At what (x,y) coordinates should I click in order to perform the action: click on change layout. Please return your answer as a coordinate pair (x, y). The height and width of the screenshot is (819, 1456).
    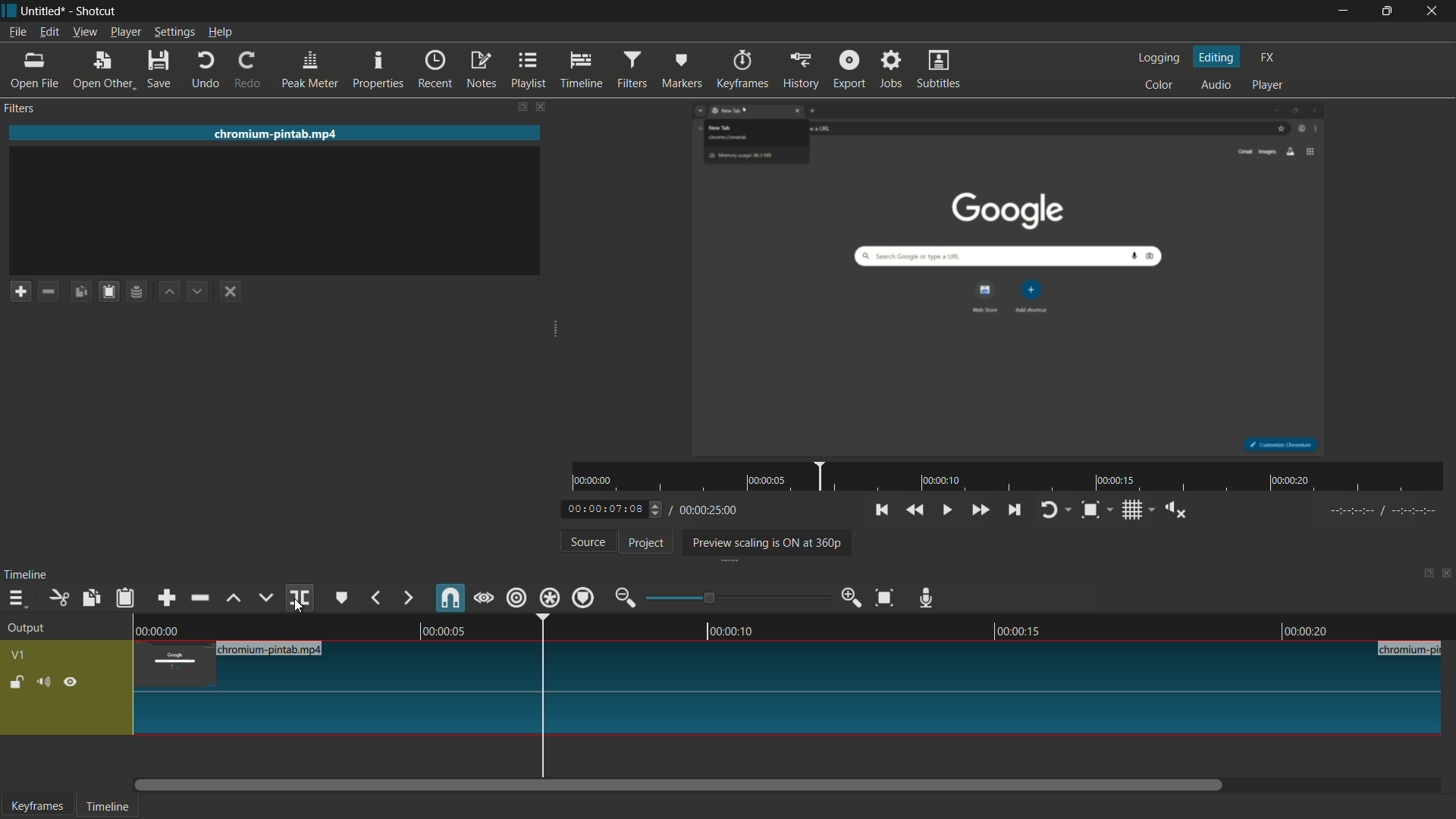
    Looking at the image, I should click on (520, 107).